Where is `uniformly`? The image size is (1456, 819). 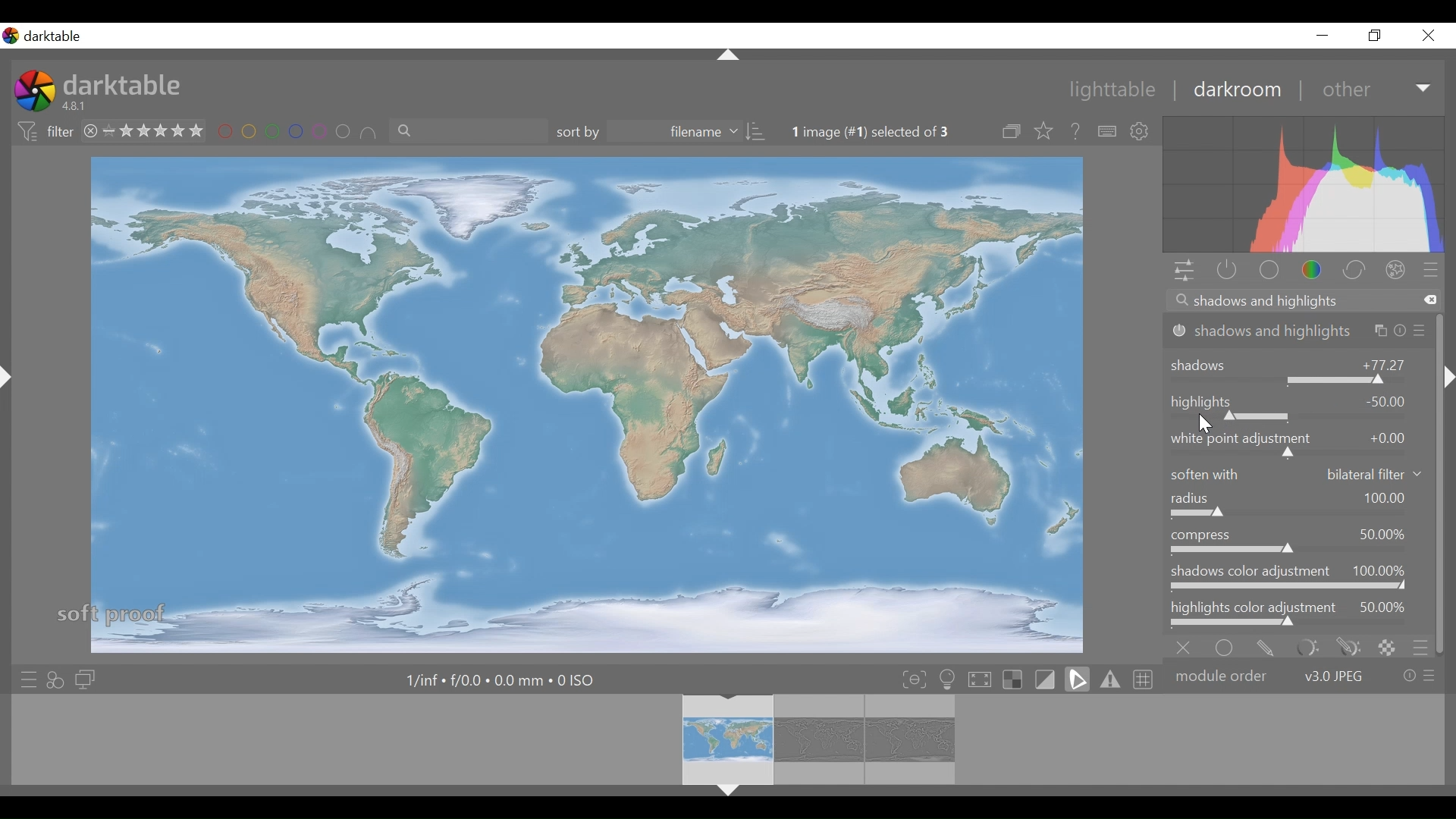 uniformly is located at coordinates (1228, 646).